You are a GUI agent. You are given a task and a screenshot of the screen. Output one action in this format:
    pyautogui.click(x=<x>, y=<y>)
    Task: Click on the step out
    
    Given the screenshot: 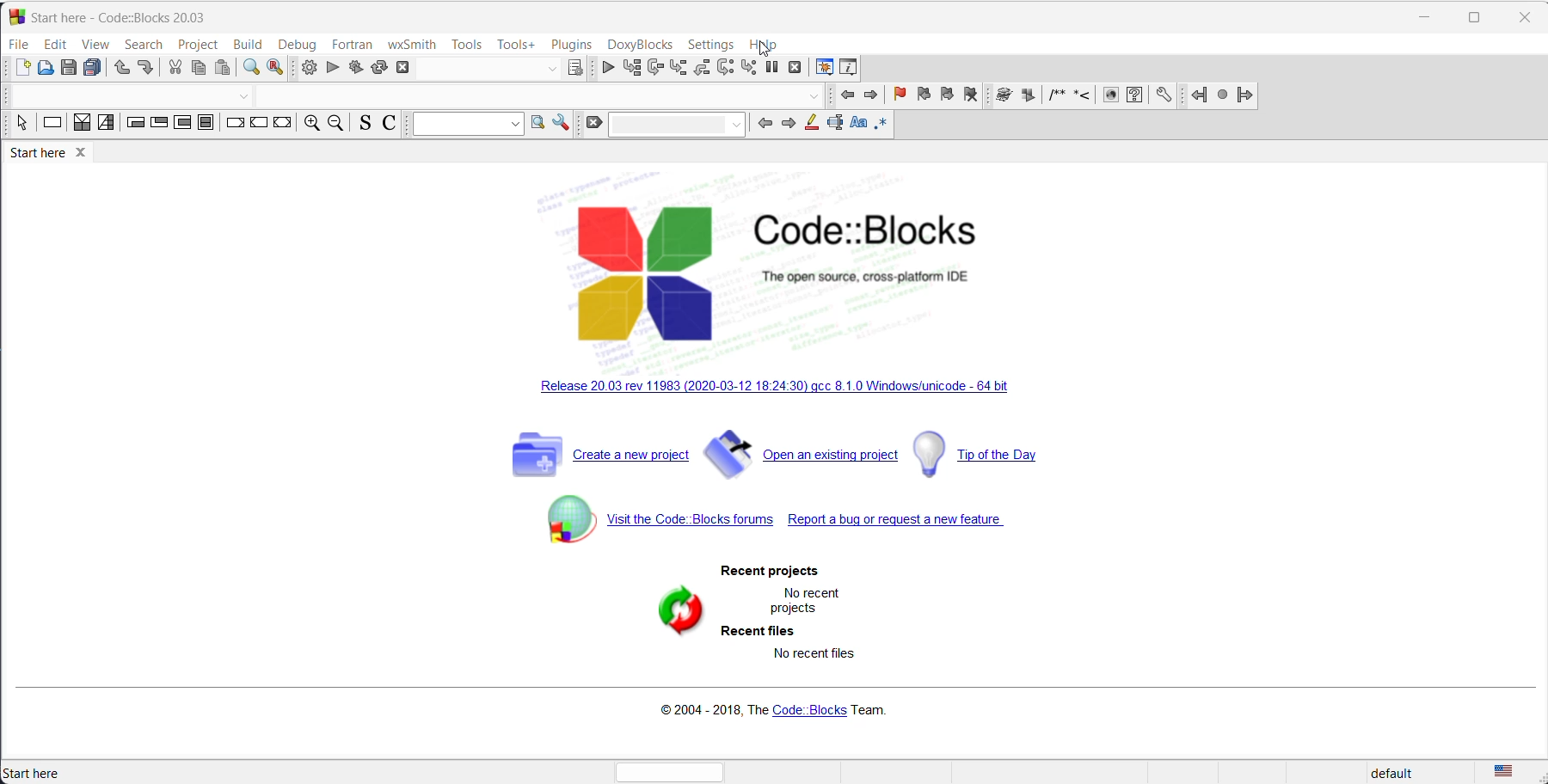 What is the action you would take?
    pyautogui.click(x=701, y=70)
    